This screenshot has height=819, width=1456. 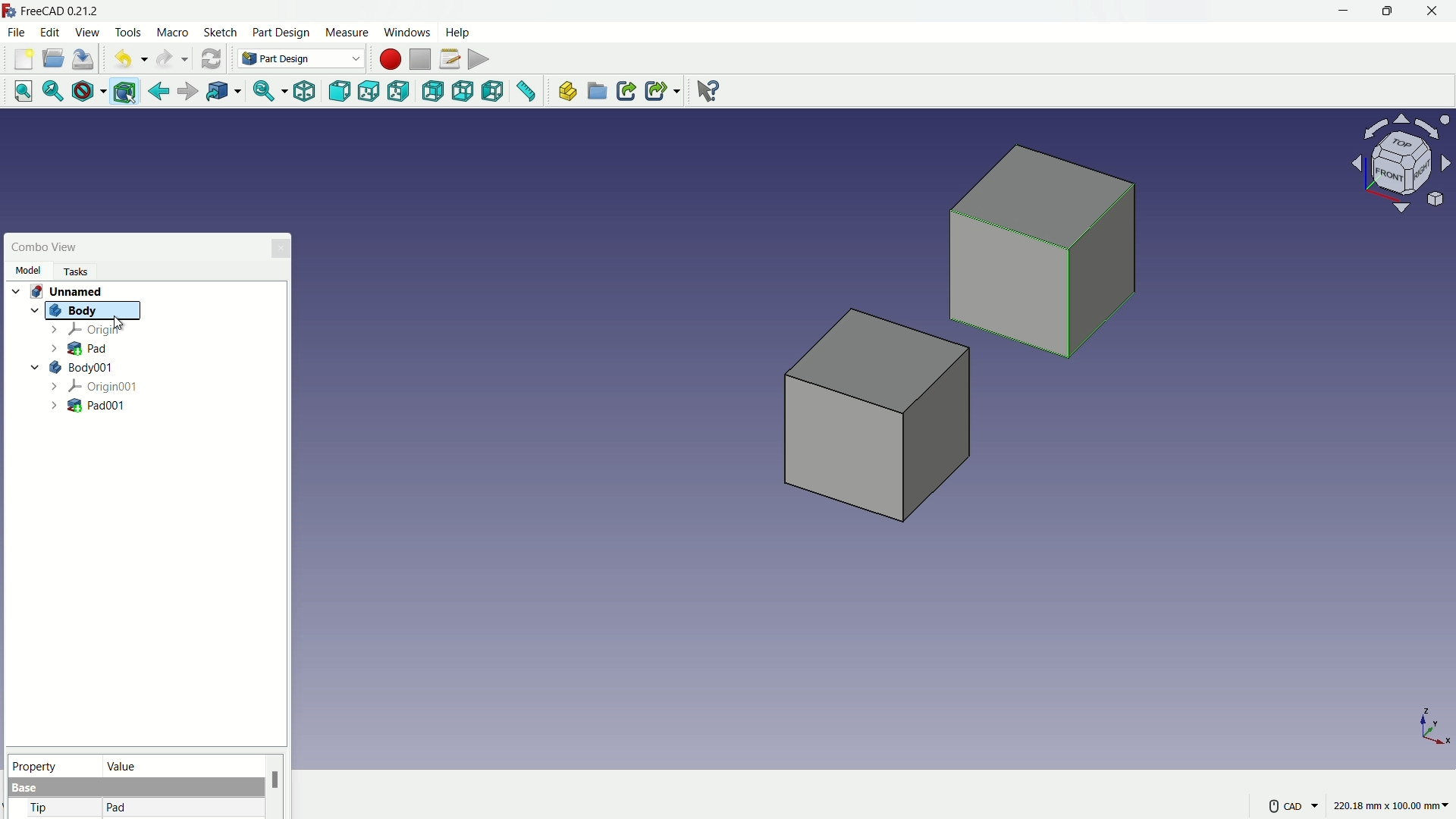 What do you see at coordinates (52, 764) in the screenshot?
I see `property` at bounding box center [52, 764].